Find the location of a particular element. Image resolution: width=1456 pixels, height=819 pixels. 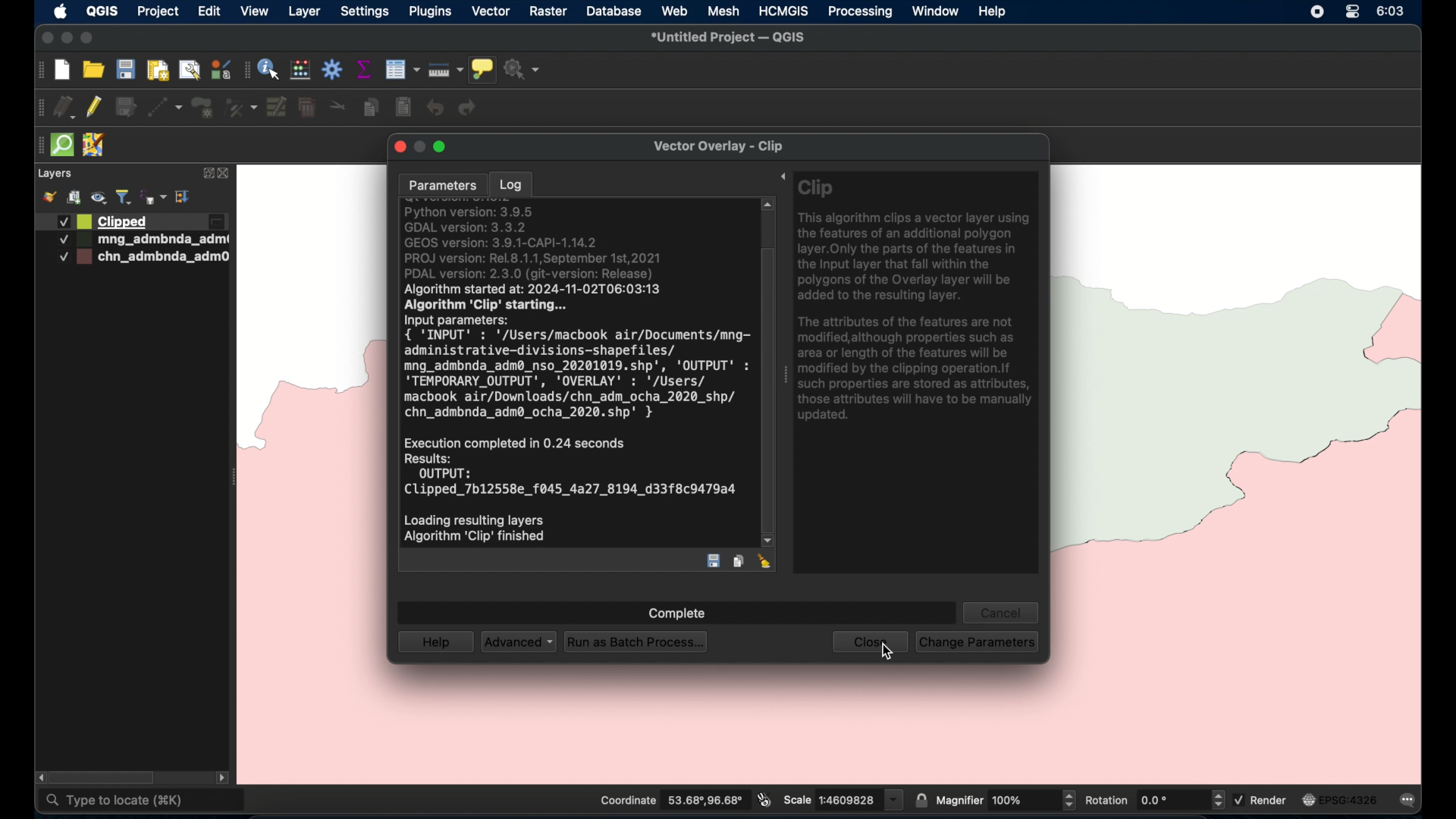

type to locate is located at coordinates (143, 802).